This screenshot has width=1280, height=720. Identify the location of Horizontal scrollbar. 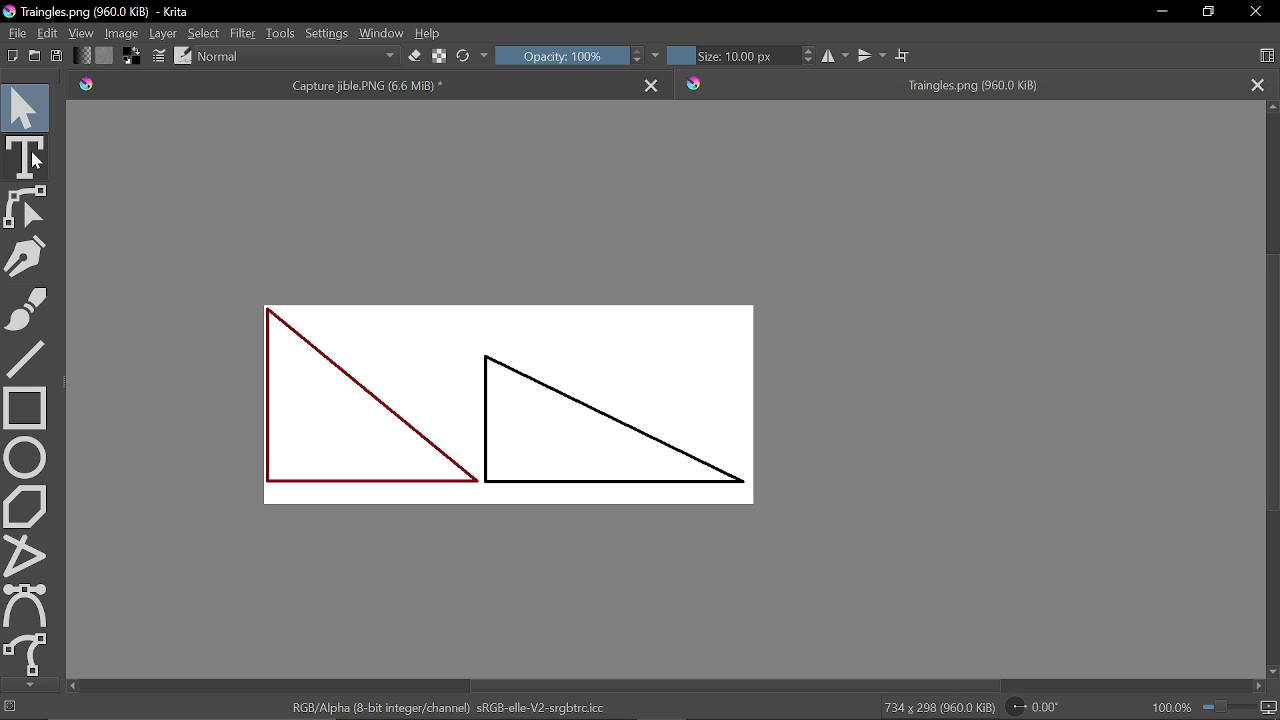
(734, 687).